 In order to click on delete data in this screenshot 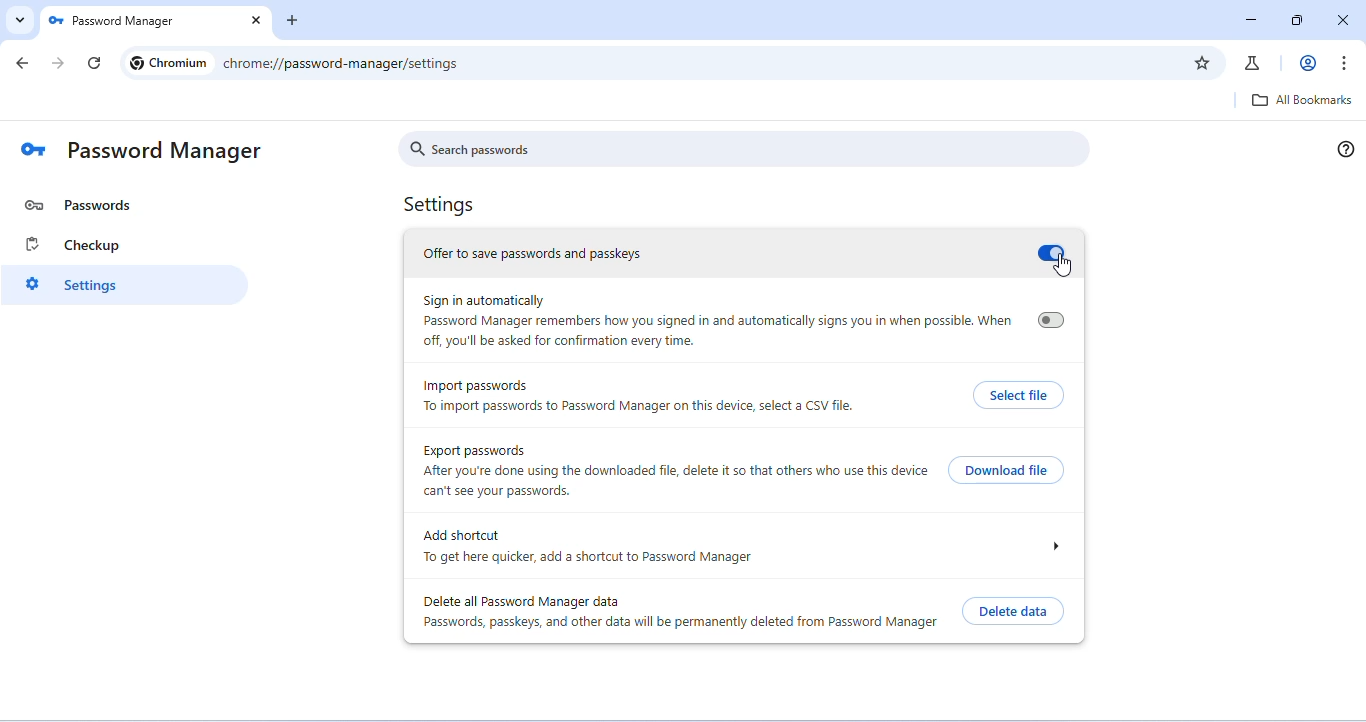, I will do `click(1014, 612)`.